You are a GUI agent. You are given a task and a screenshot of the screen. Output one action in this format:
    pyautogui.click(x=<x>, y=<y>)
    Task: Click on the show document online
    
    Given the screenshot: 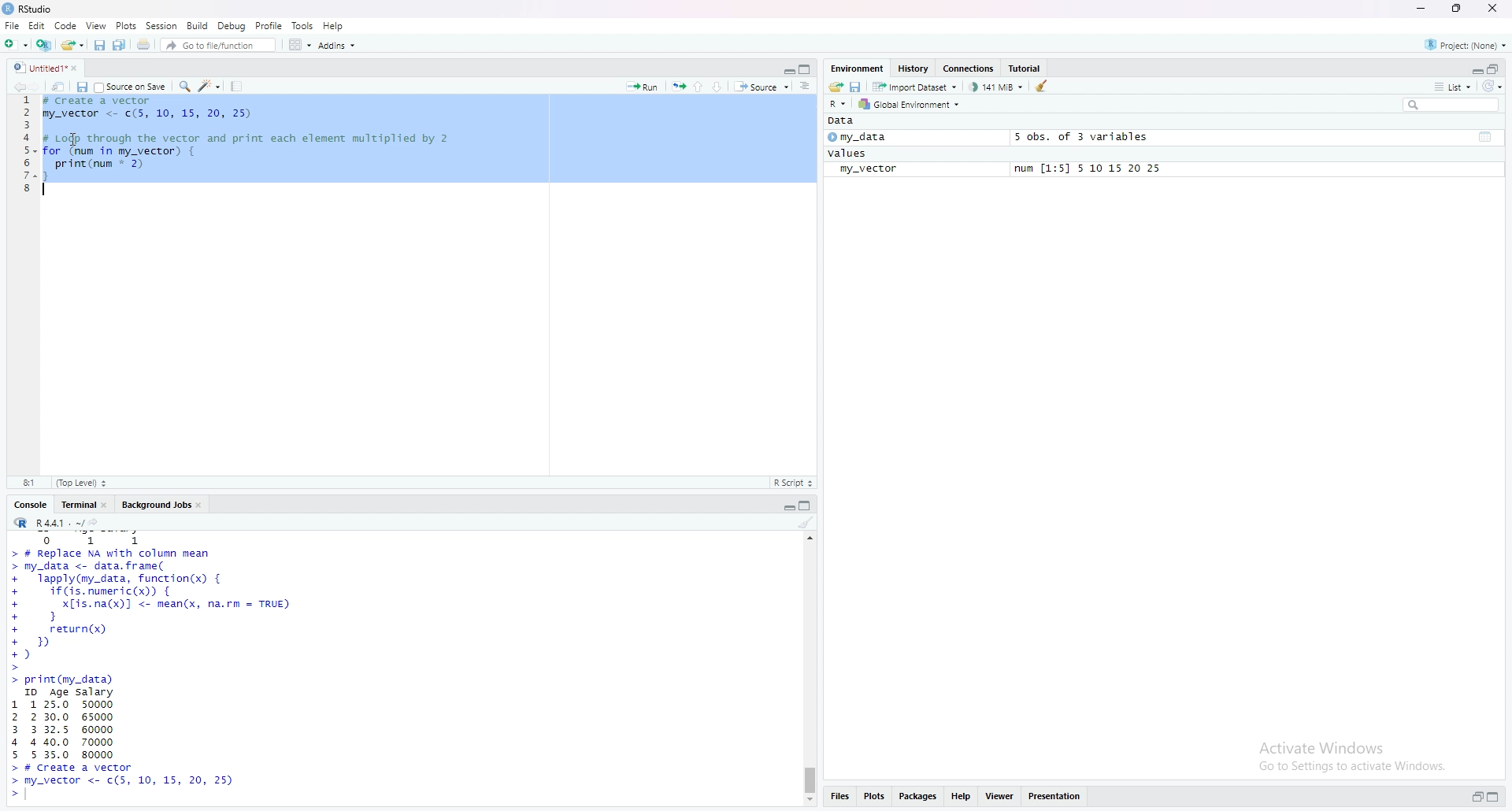 What is the action you would take?
    pyautogui.click(x=810, y=87)
    